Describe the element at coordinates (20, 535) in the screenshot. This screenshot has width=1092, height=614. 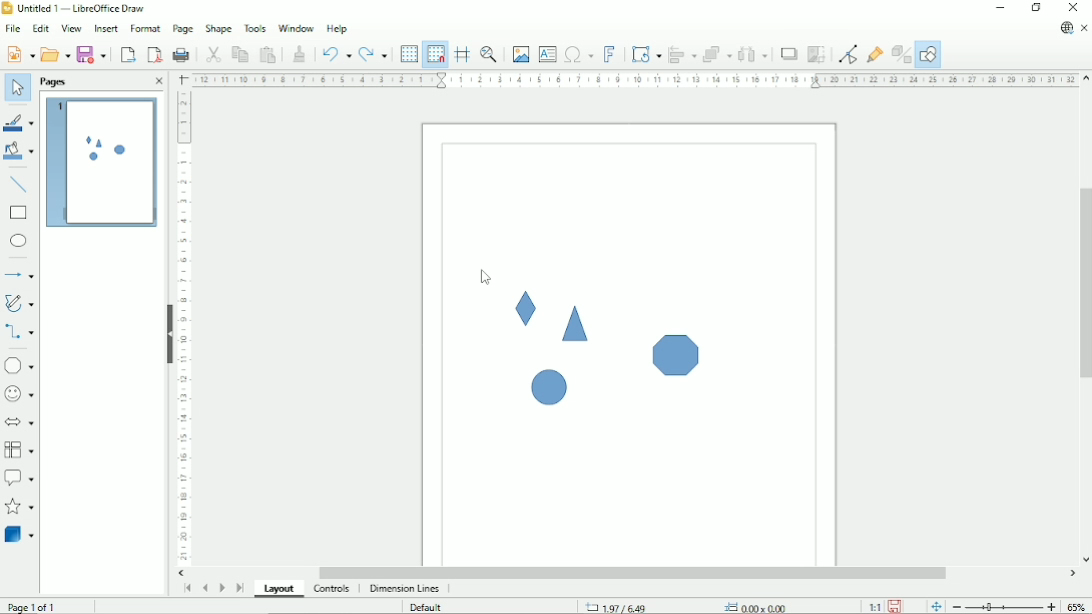
I see `3 D Objects` at that location.